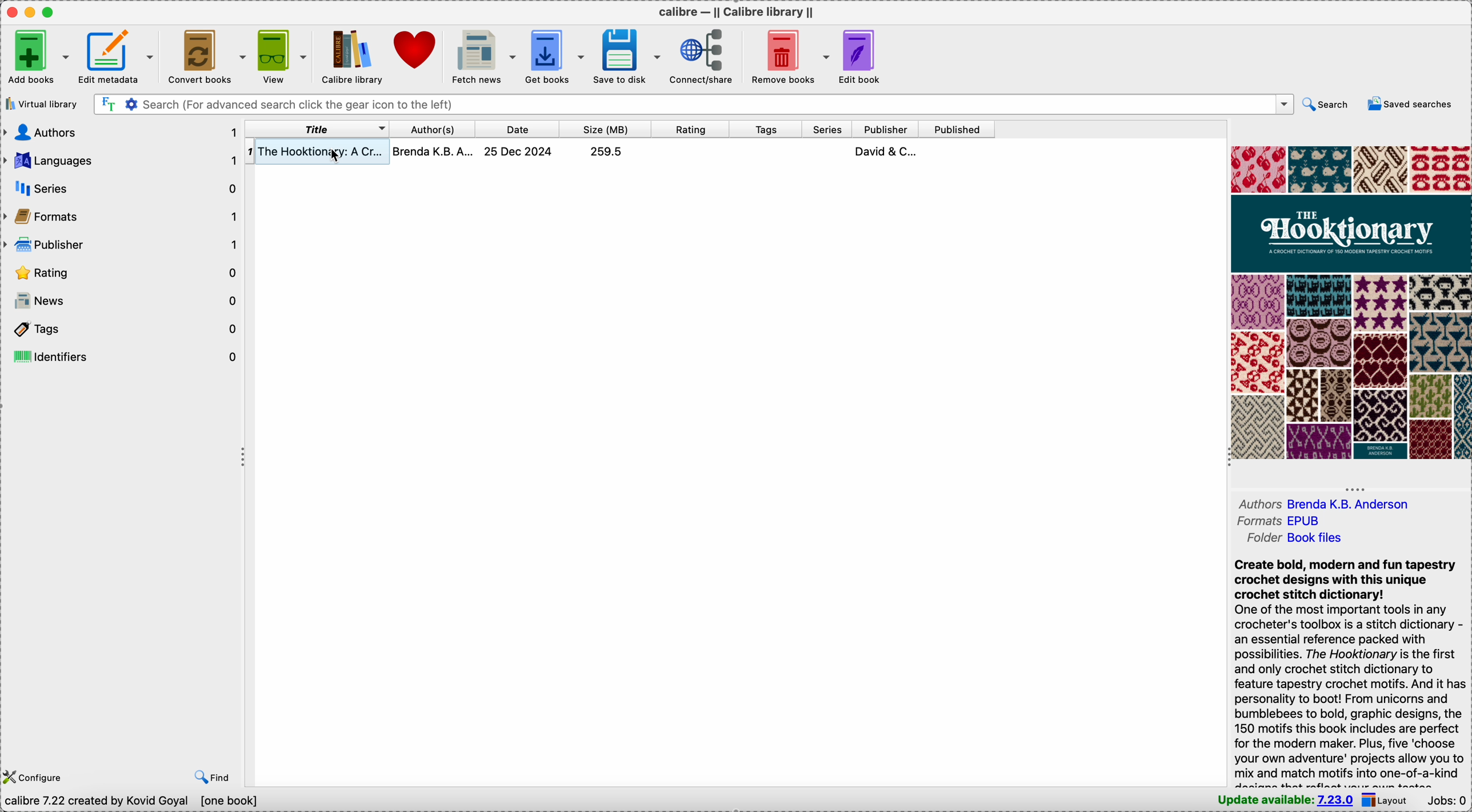 Image resolution: width=1472 pixels, height=812 pixels. I want to click on book cover preview, so click(1350, 303).